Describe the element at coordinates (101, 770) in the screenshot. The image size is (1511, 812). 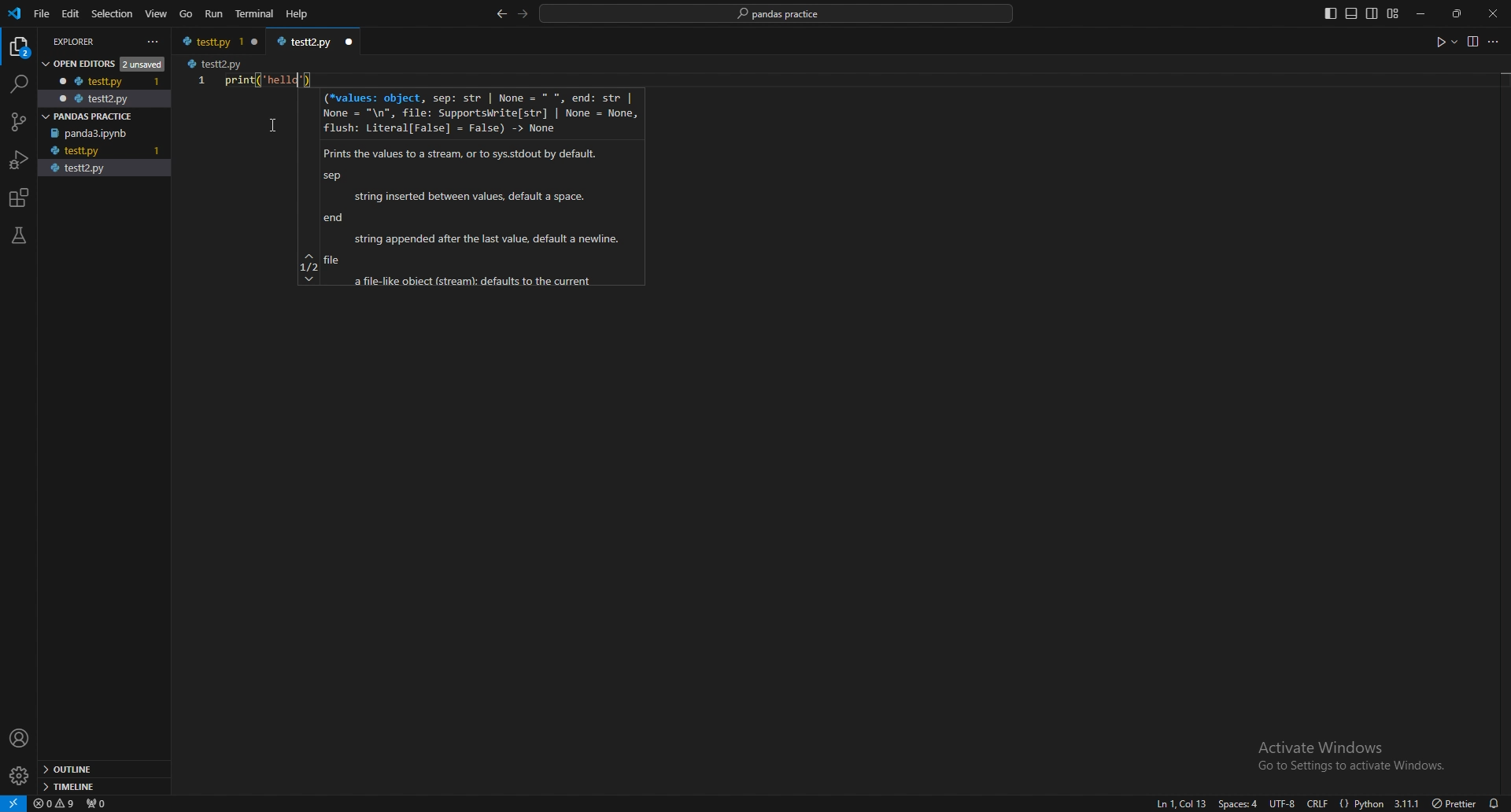
I see `outline` at that location.